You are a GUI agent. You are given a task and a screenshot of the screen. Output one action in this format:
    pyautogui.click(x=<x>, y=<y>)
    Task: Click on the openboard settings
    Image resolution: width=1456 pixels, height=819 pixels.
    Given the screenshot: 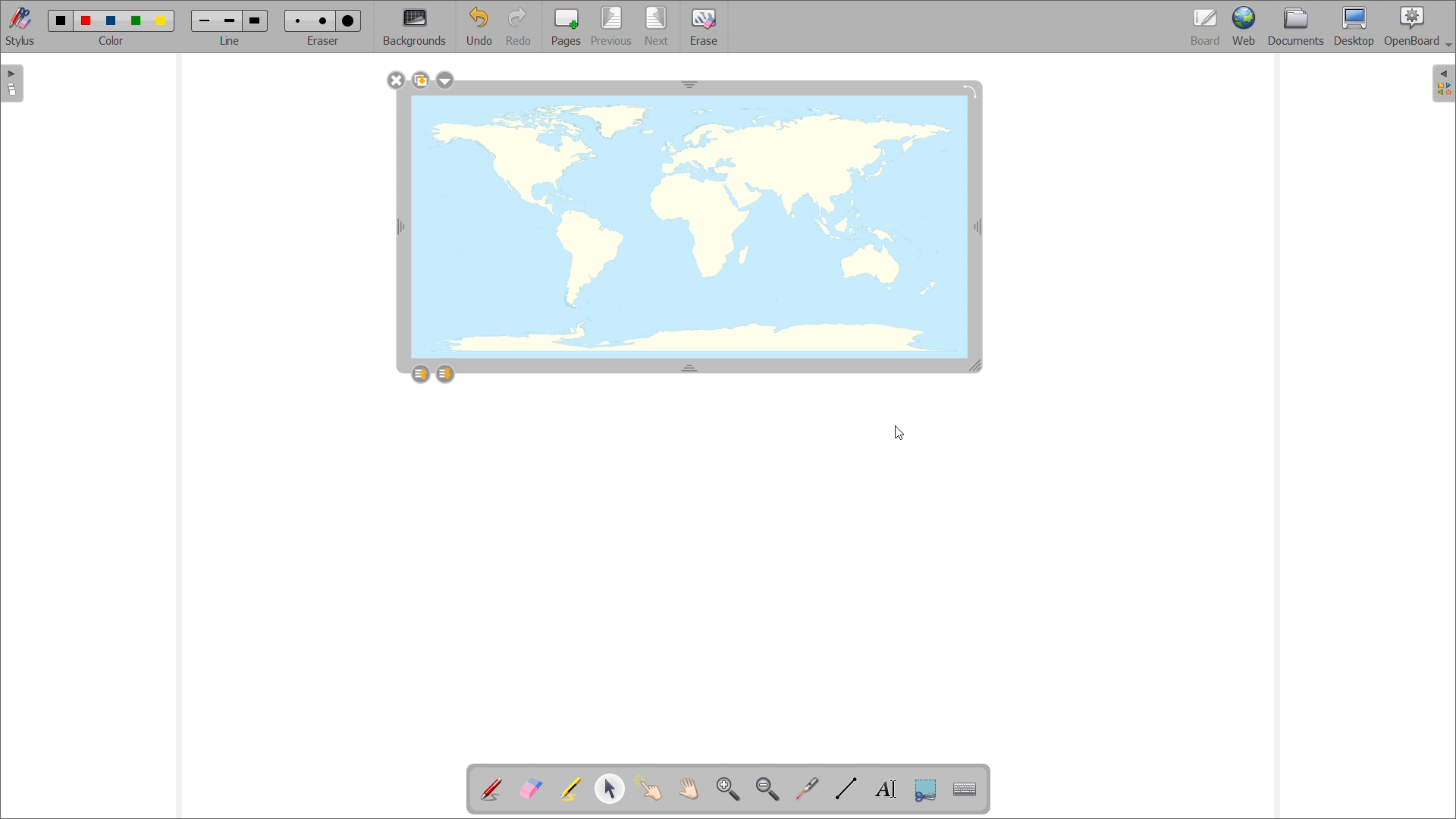 What is the action you would take?
    pyautogui.click(x=1417, y=27)
    